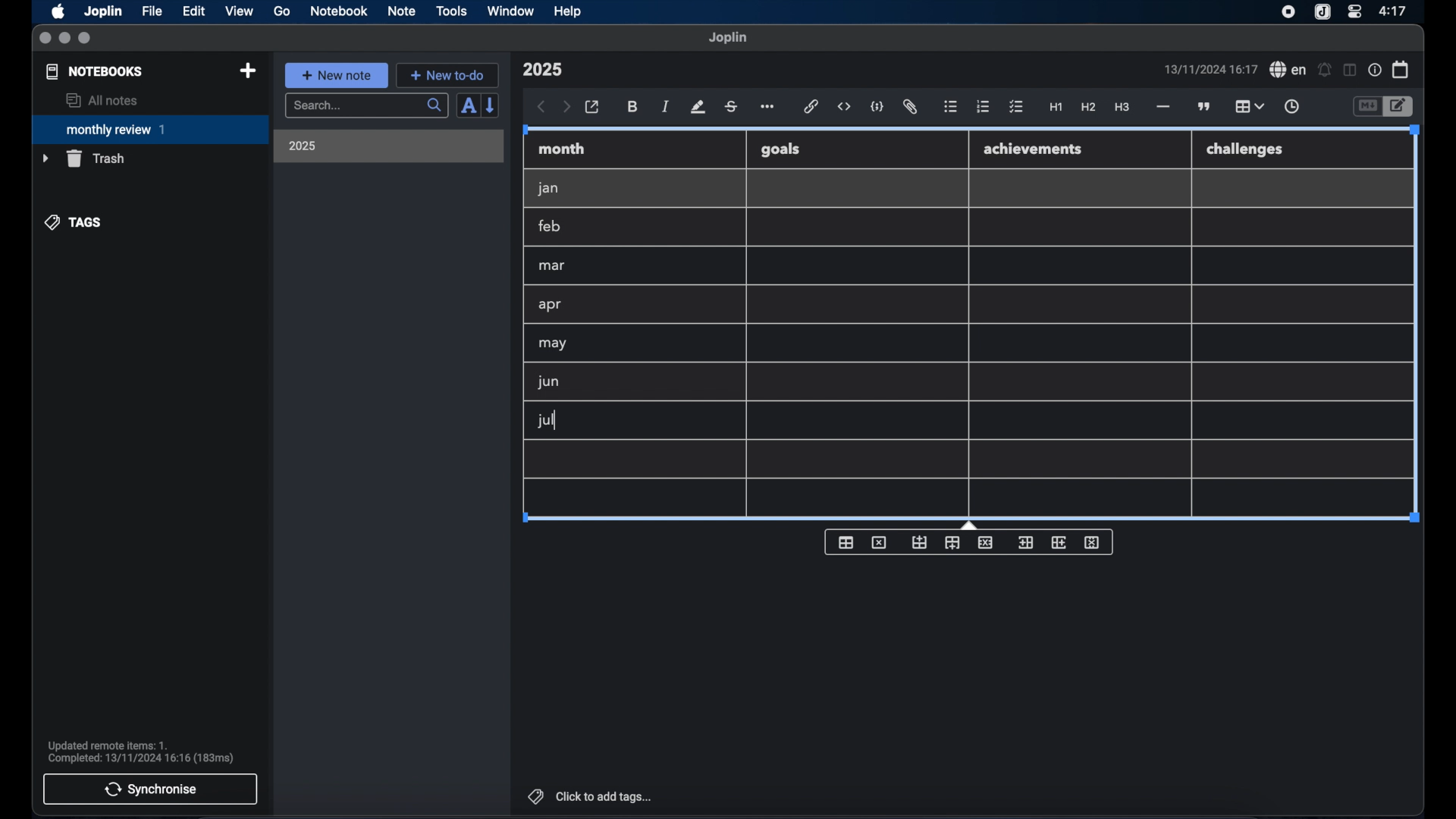  What do you see at coordinates (910, 107) in the screenshot?
I see `attach file` at bounding box center [910, 107].